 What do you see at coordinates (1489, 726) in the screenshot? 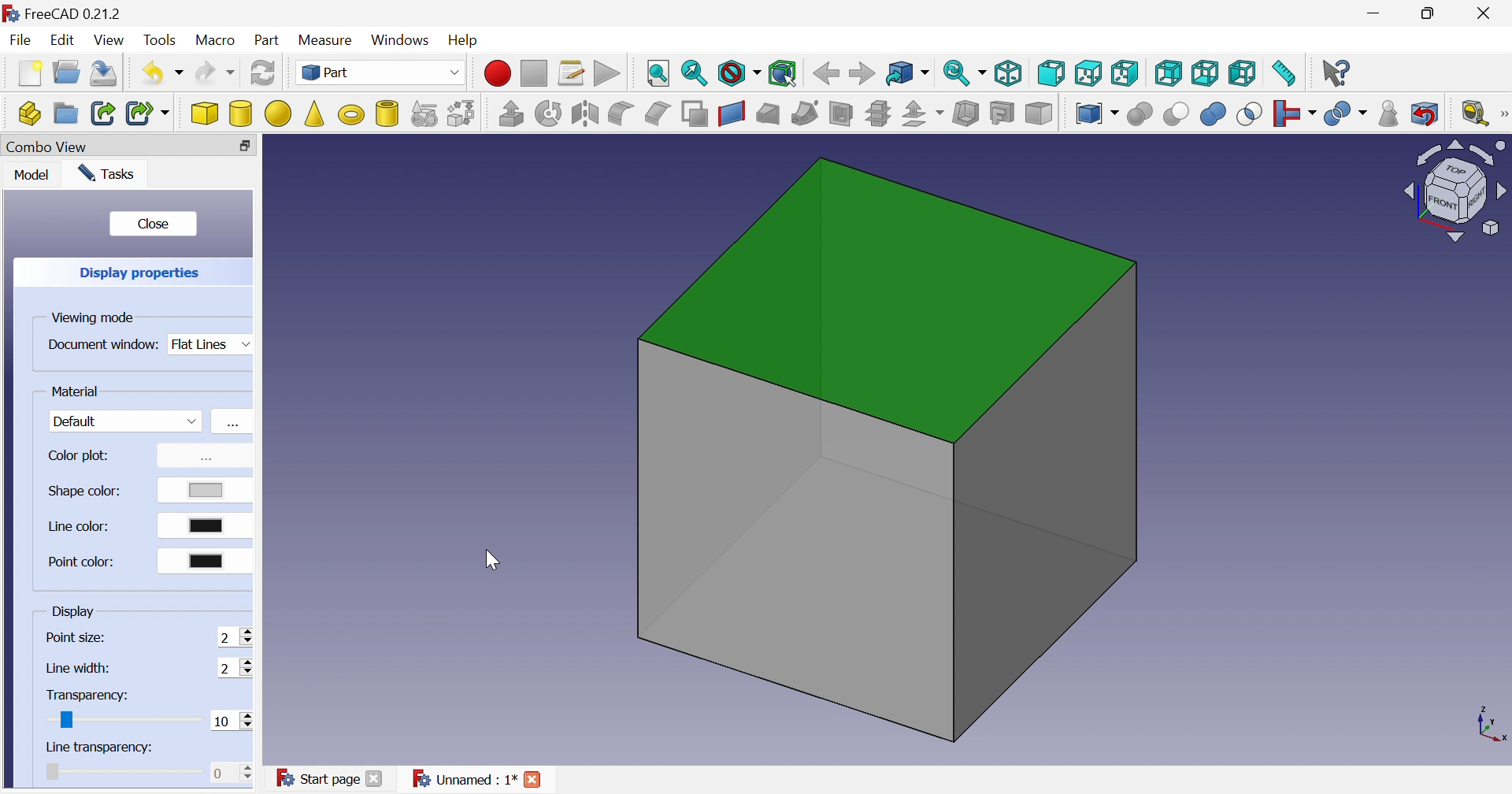
I see `Shape` at bounding box center [1489, 726].